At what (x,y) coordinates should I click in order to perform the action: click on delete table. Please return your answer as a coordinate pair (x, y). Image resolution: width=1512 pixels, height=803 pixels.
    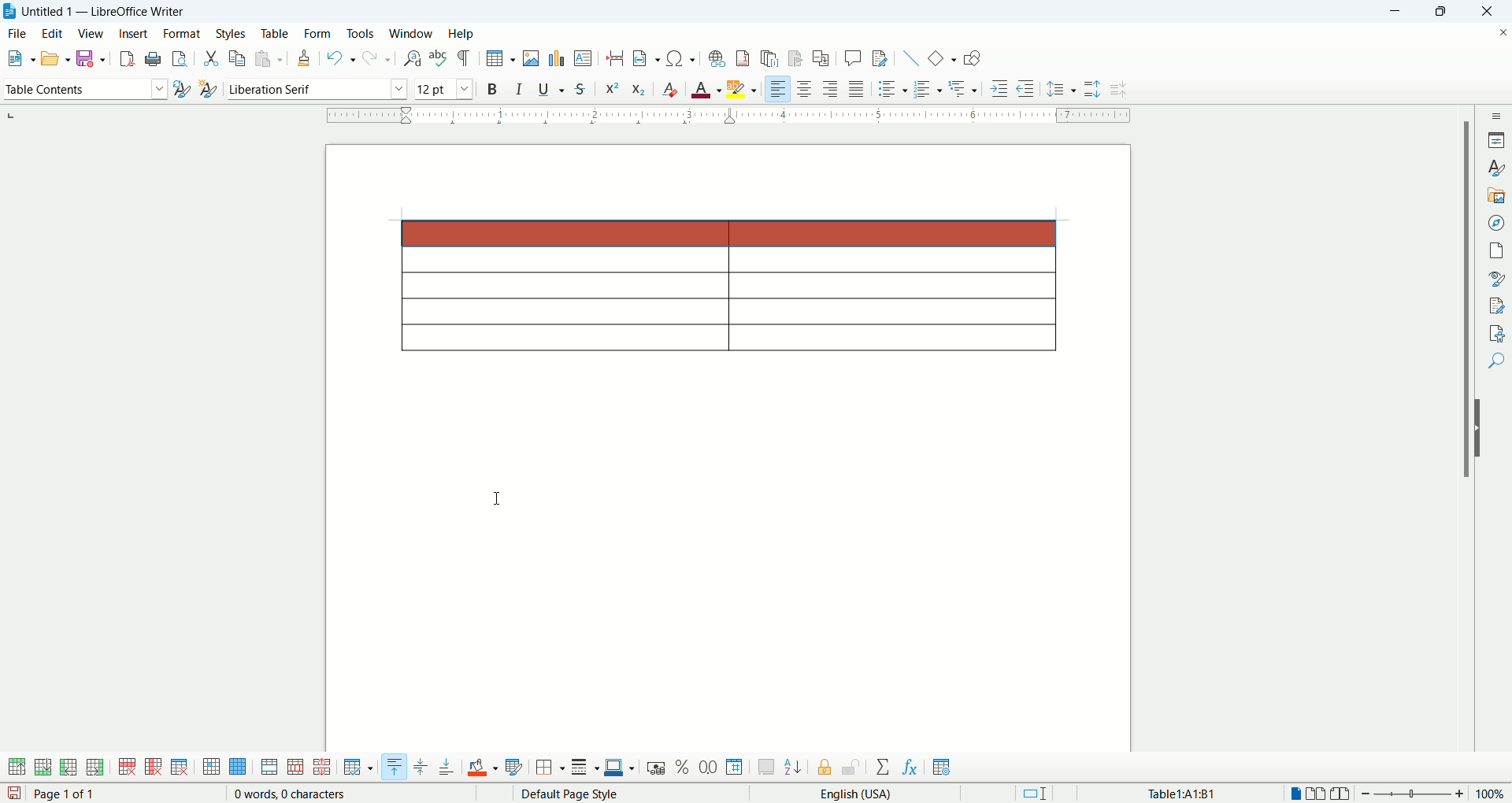
    Looking at the image, I should click on (180, 767).